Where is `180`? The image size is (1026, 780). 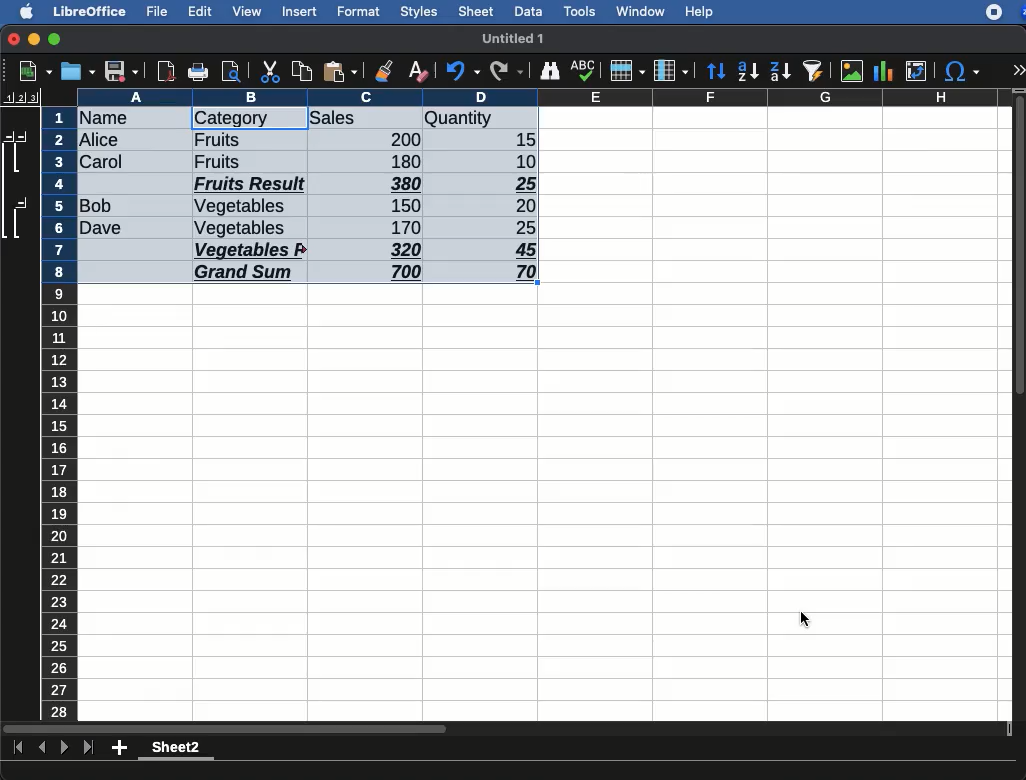 180 is located at coordinates (401, 162).